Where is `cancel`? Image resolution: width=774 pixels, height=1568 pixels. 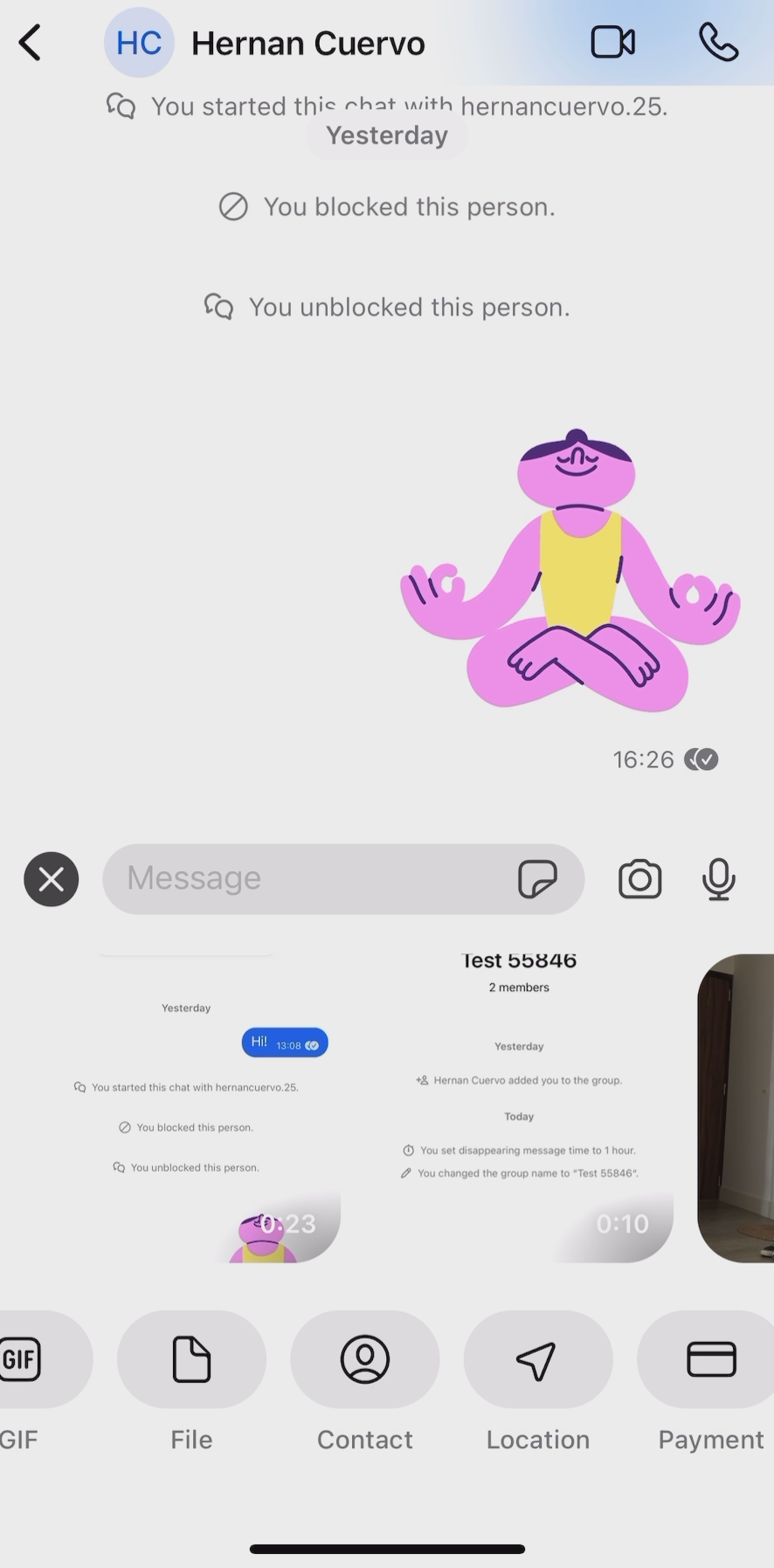 cancel is located at coordinates (51, 876).